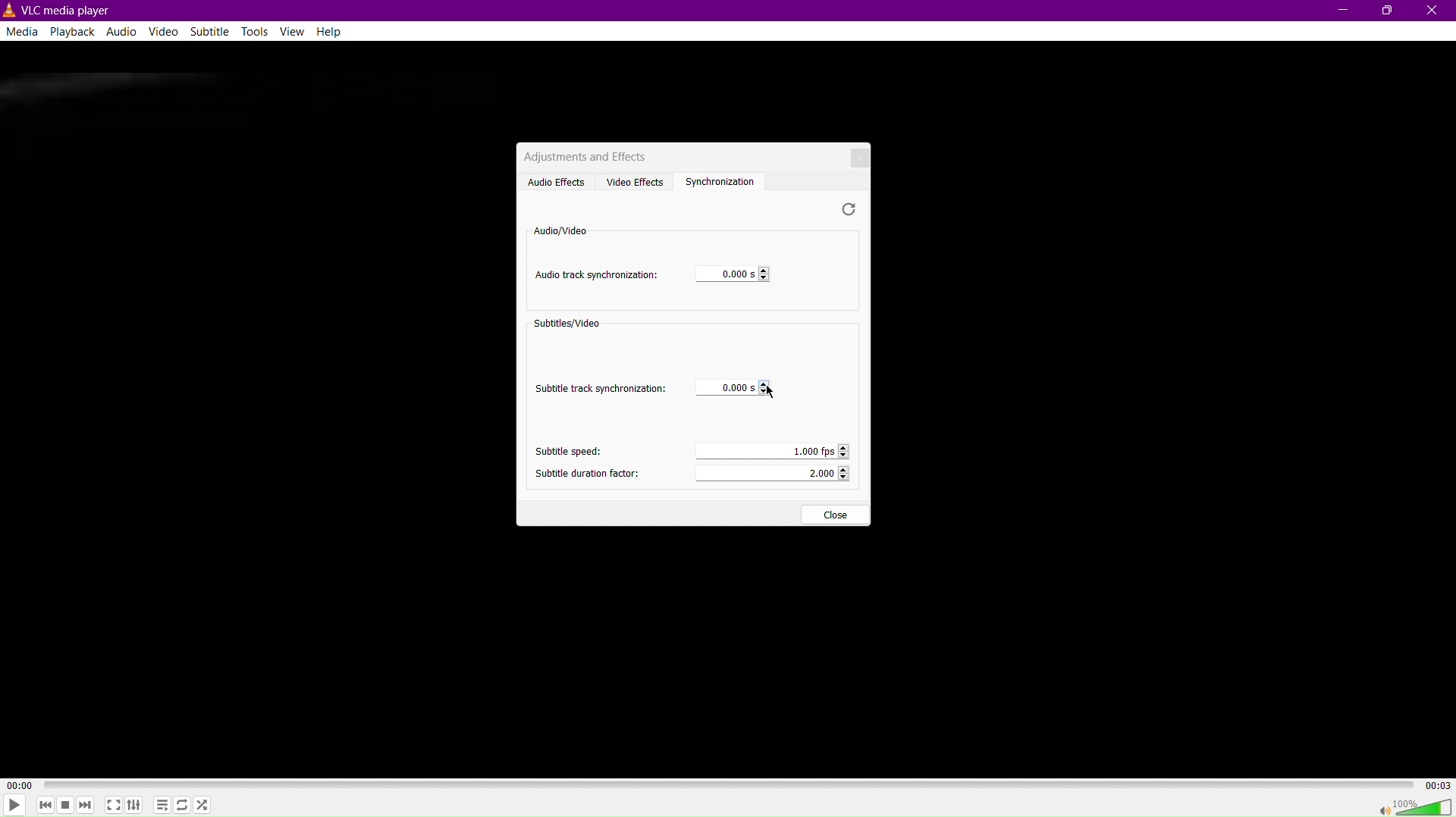 This screenshot has height=817, width=1456. I want to click on Playlist, so click(165, 805).